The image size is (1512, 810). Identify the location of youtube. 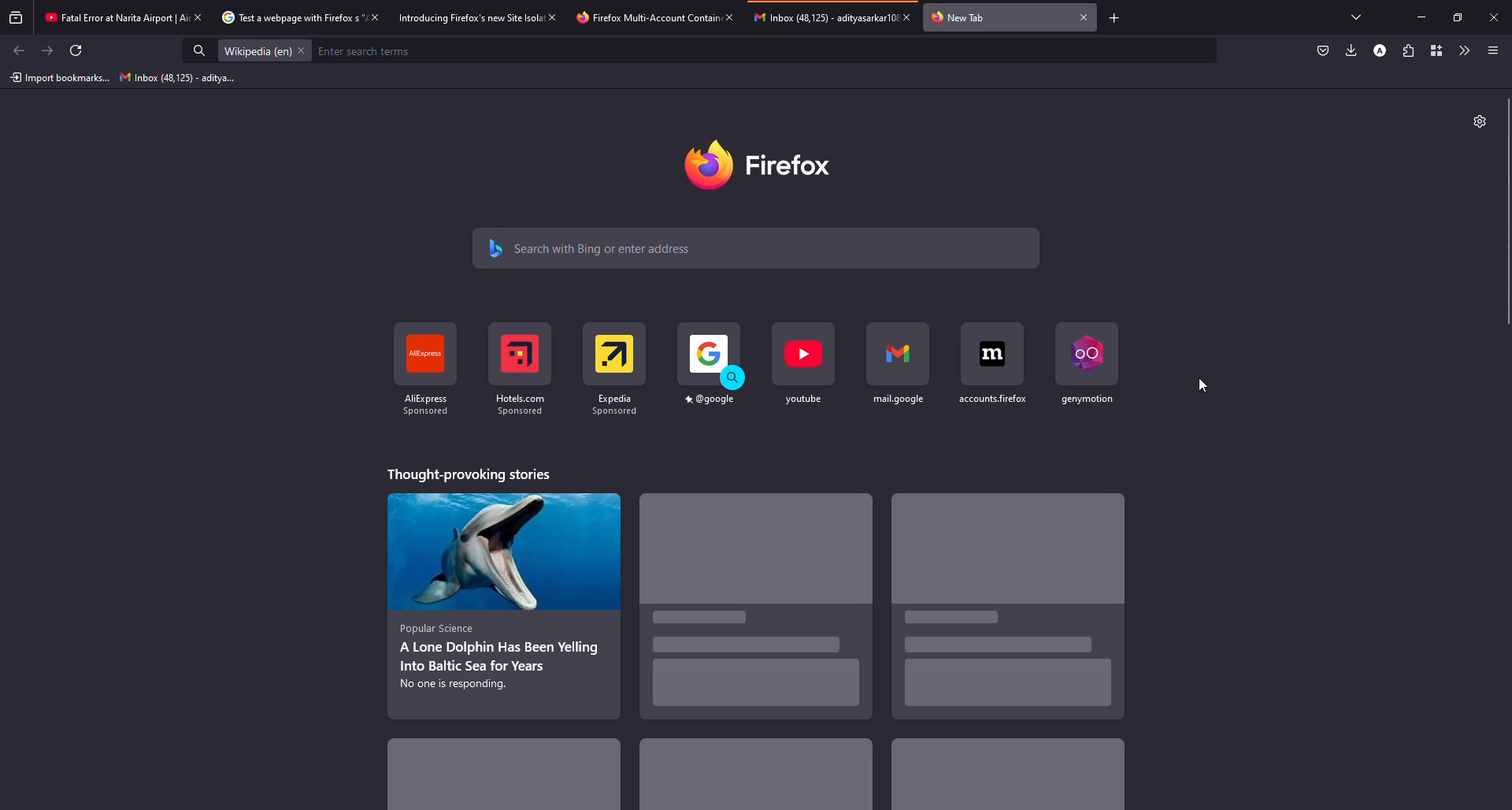
(802, 366).